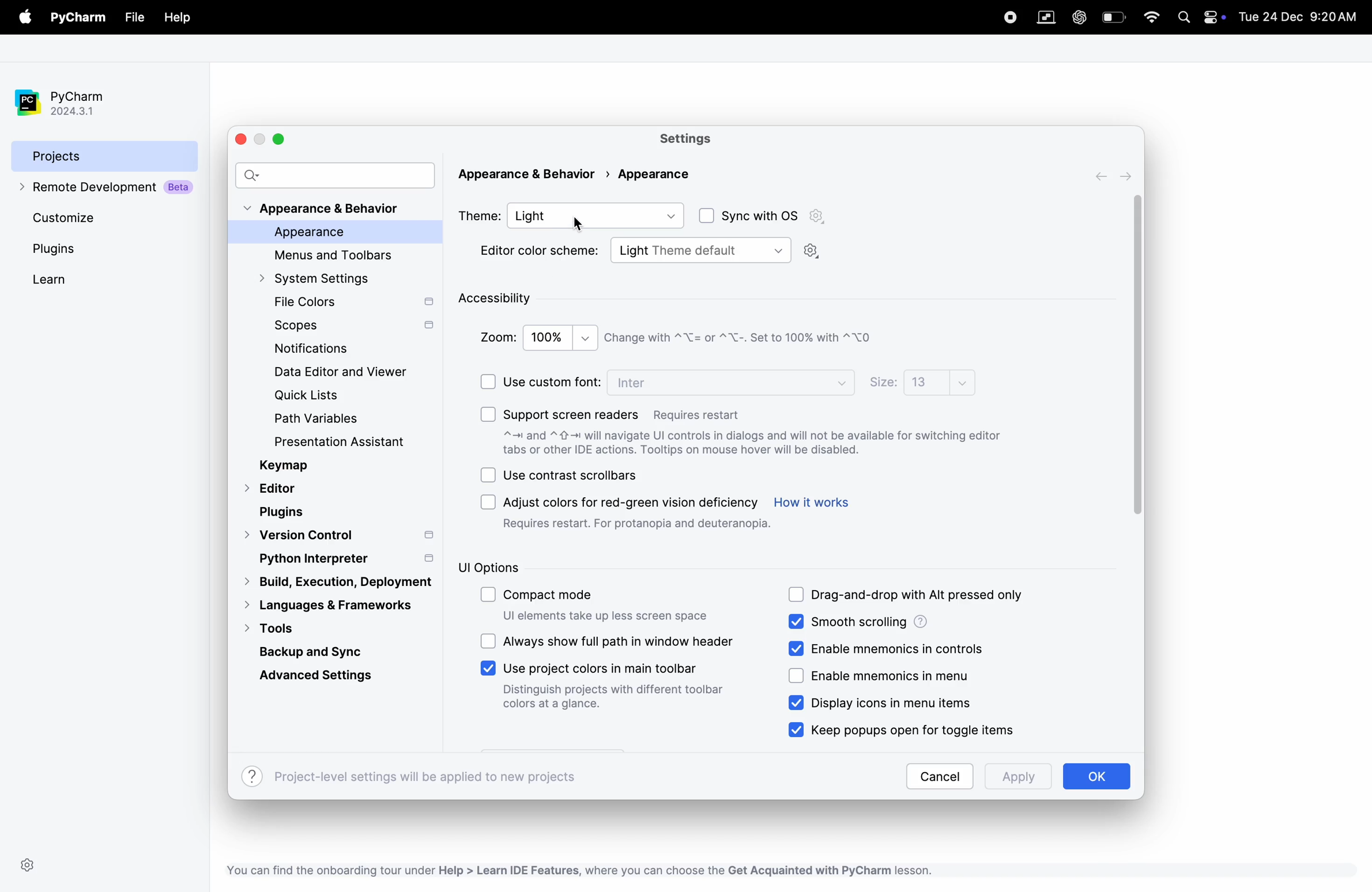 The image size is (1372, 892). What do you see at coordinates (282, 138) in the screenshot?
I see `full screen` at bounding box center [282, 138].